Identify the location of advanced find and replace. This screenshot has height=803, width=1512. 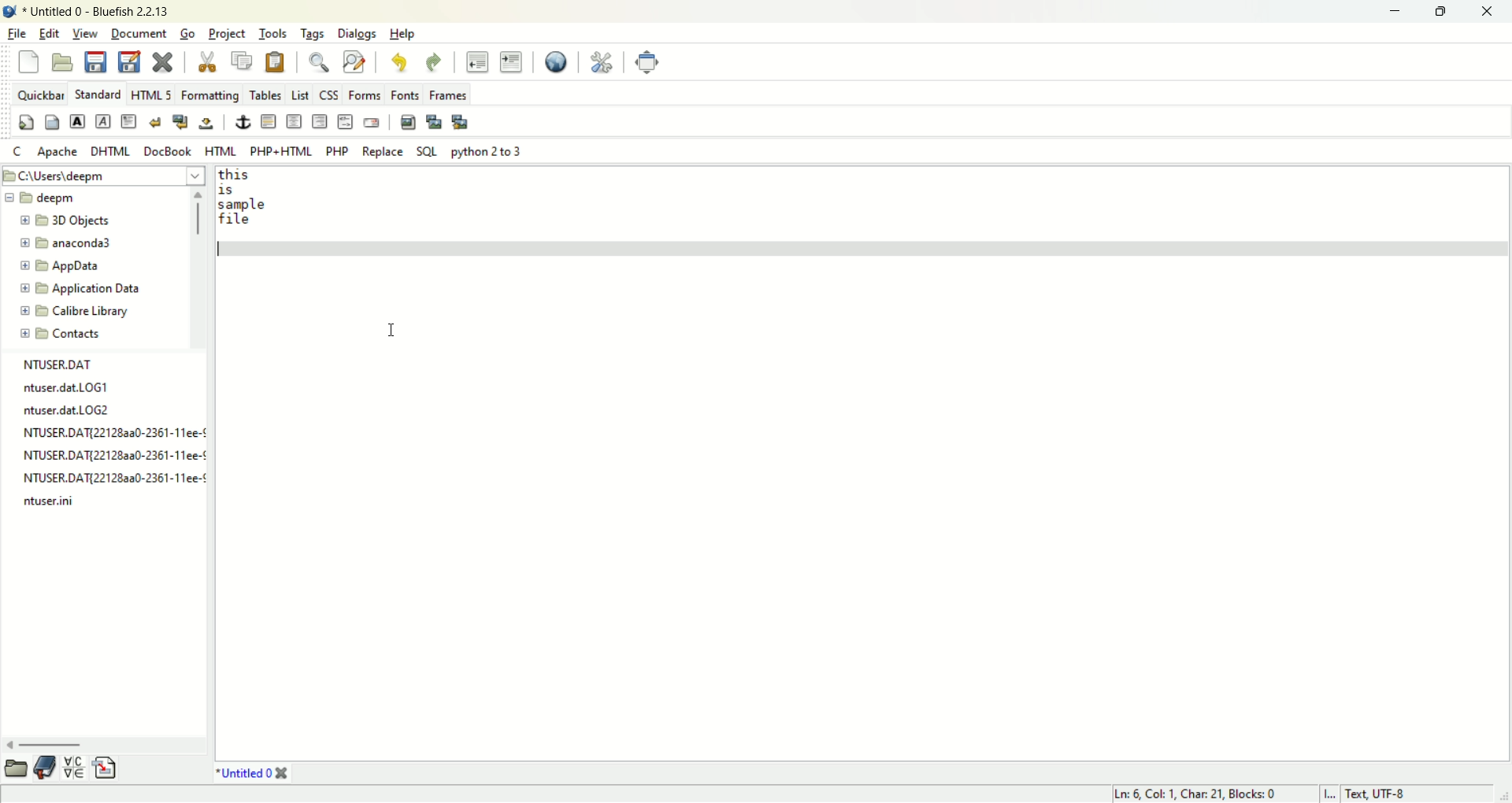
(354, 62).